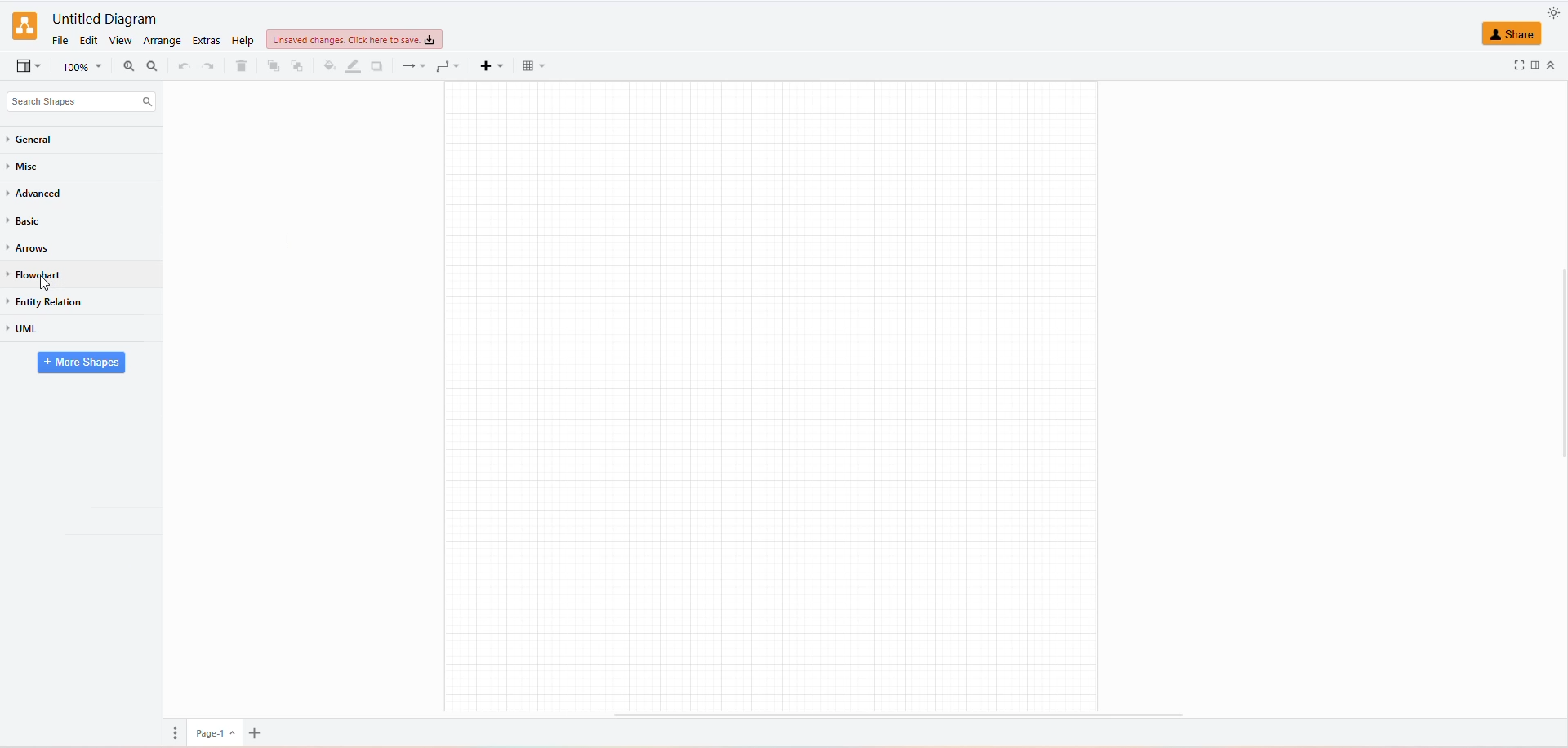 The image size is (1568, 748). Describe the element at coordinates (355, 38) in the screenshot. I see `UNSAVED CHANGES` at that location.